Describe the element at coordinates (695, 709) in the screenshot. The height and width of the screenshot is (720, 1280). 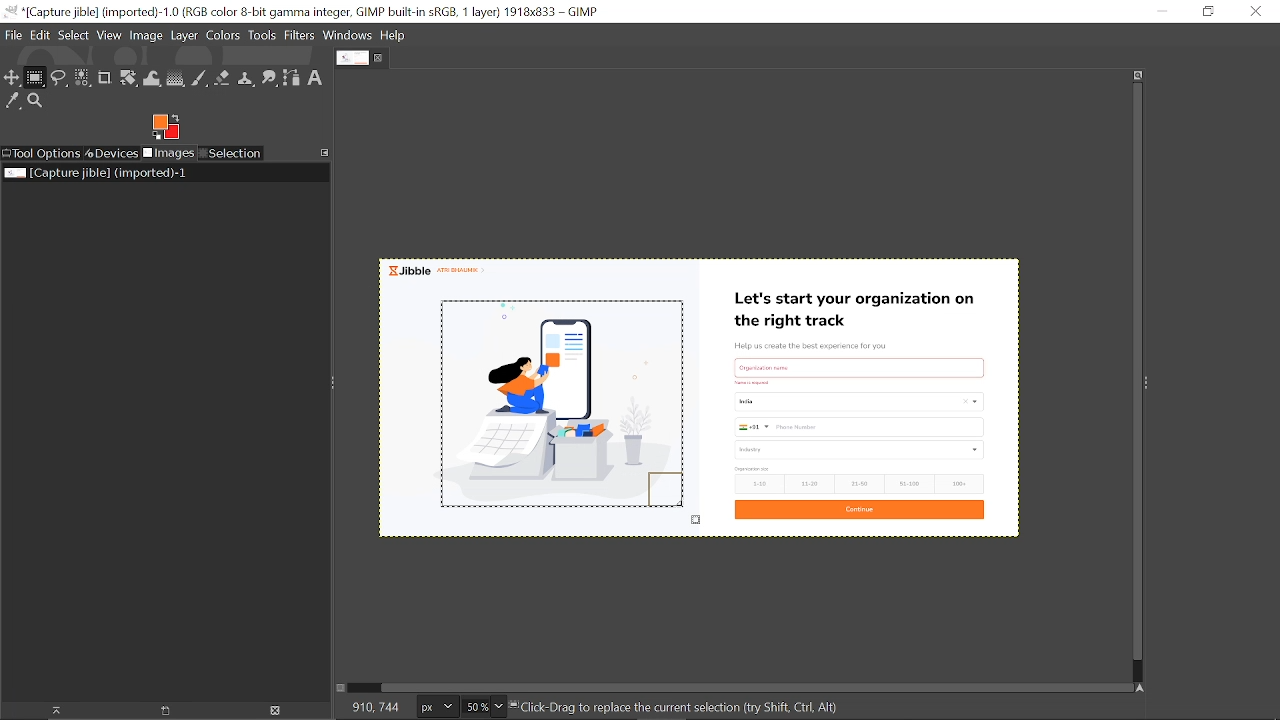
I see `Click-Drag to create current selection (try(Shift,Ctrl,Alt)` at that location.